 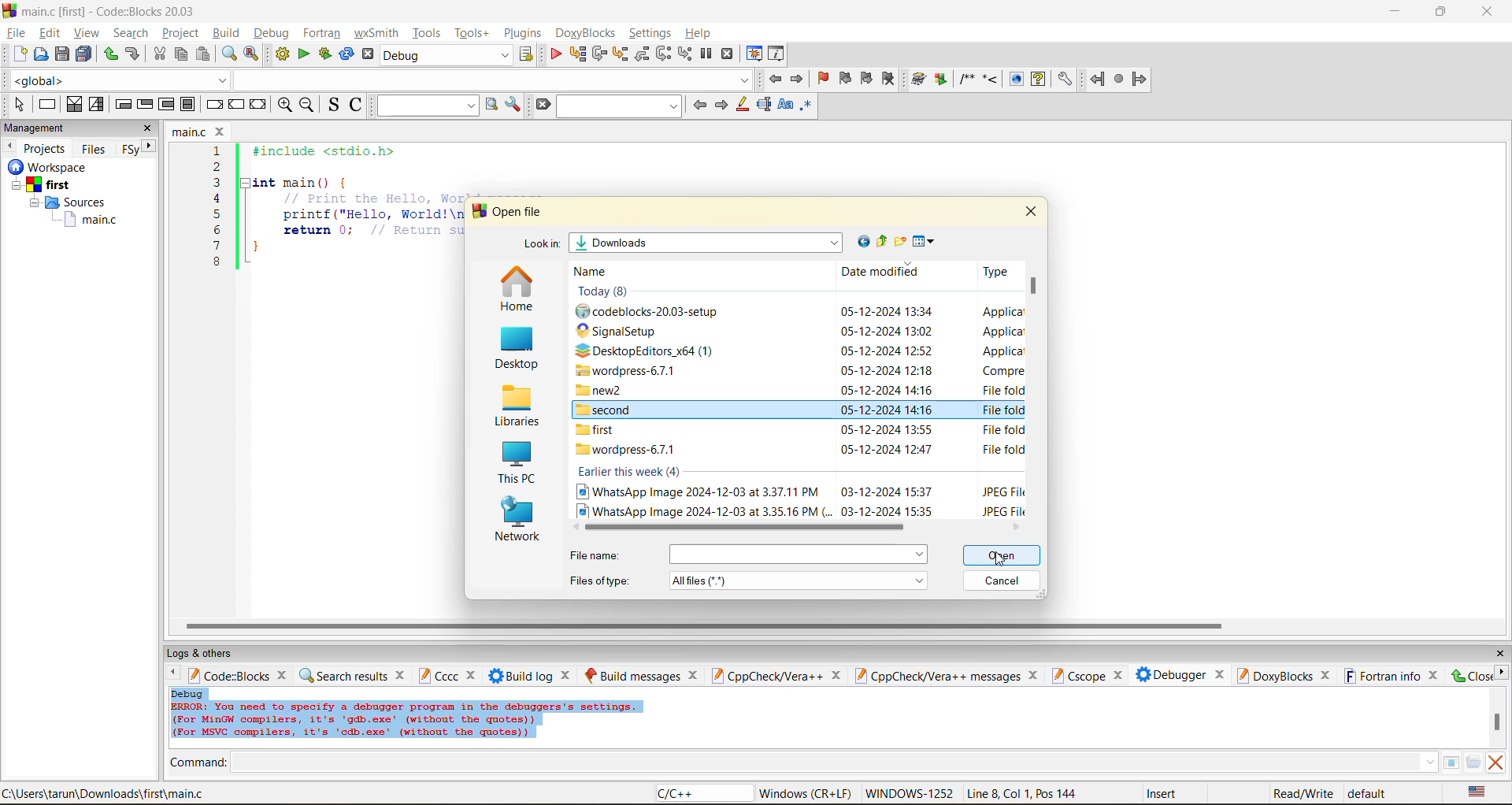 What do you see at coordinates (598, 54) in the screenshot?
I see `next line` at bounding box center [598, 54].